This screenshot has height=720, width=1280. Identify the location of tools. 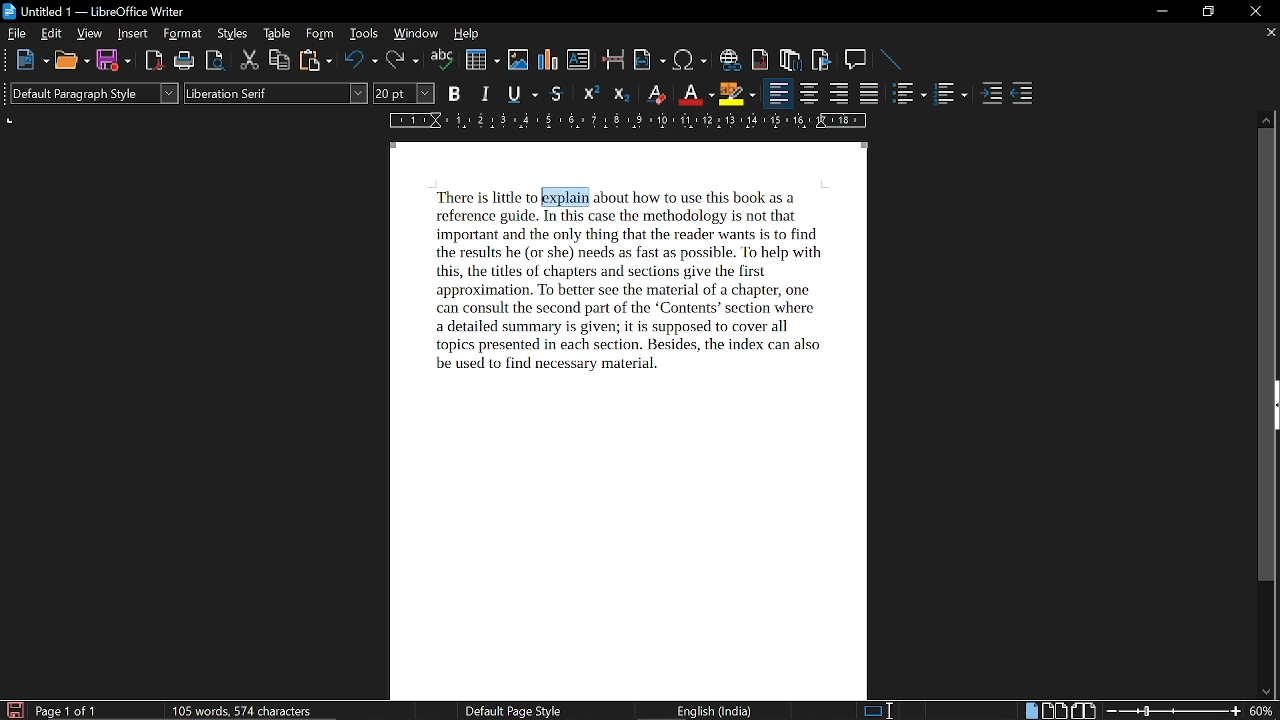
(365, 34).